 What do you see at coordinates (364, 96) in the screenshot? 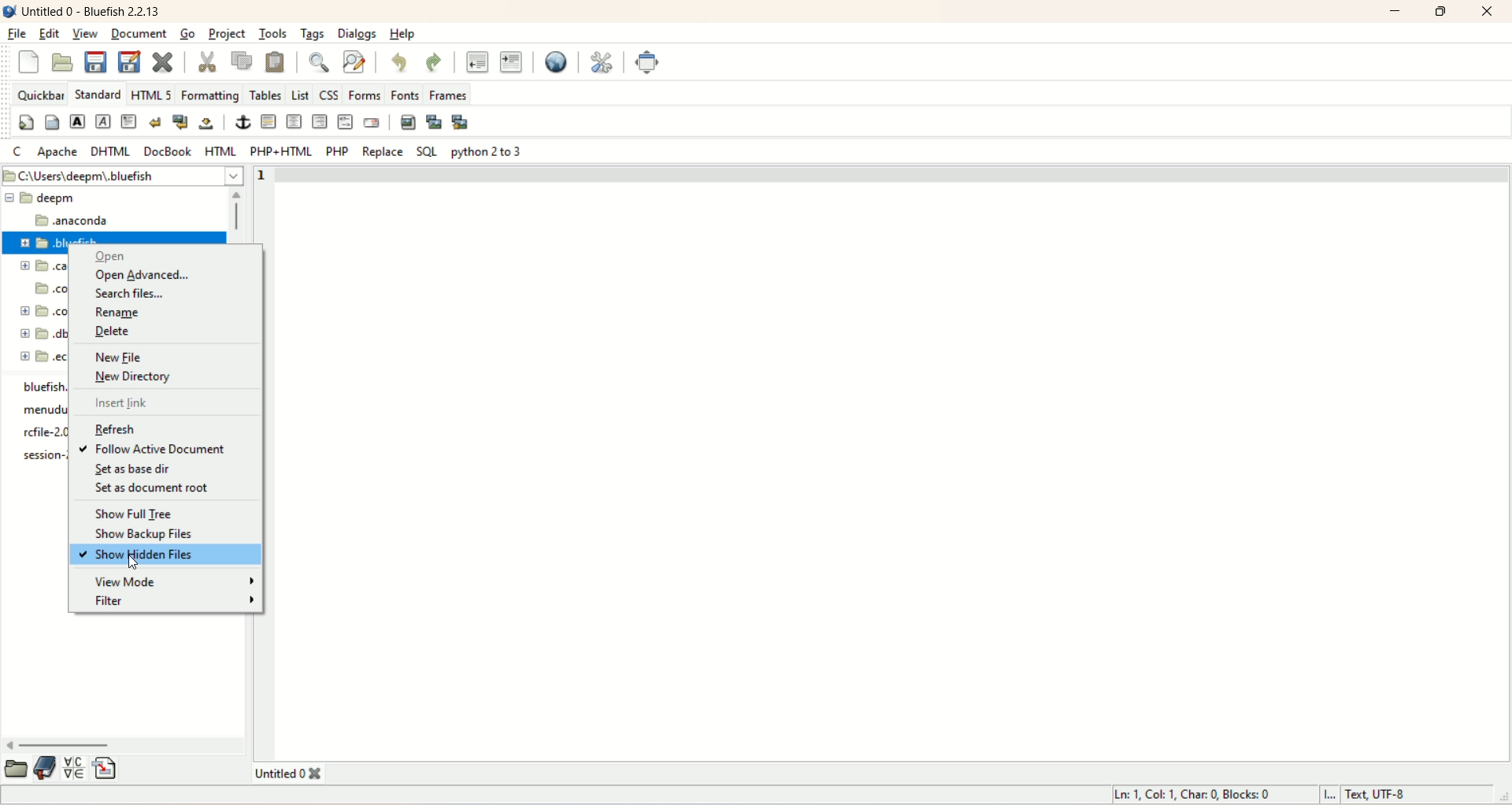
I see `forms` at bounding box center [364, 96].